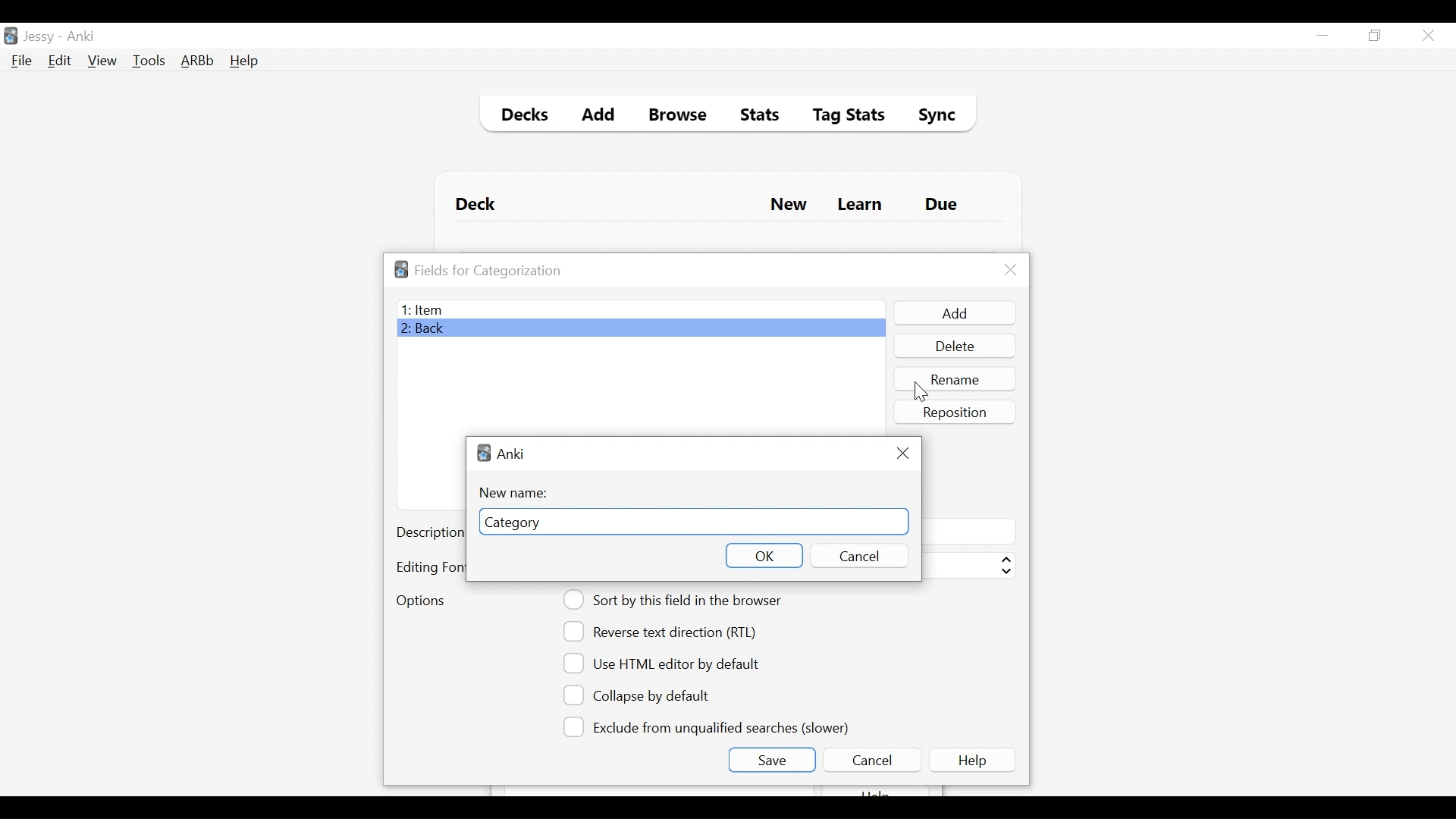  What do you see at coordinates (640, 309) in the screenshot?
I see `Front` at bounding box center [640, 309].